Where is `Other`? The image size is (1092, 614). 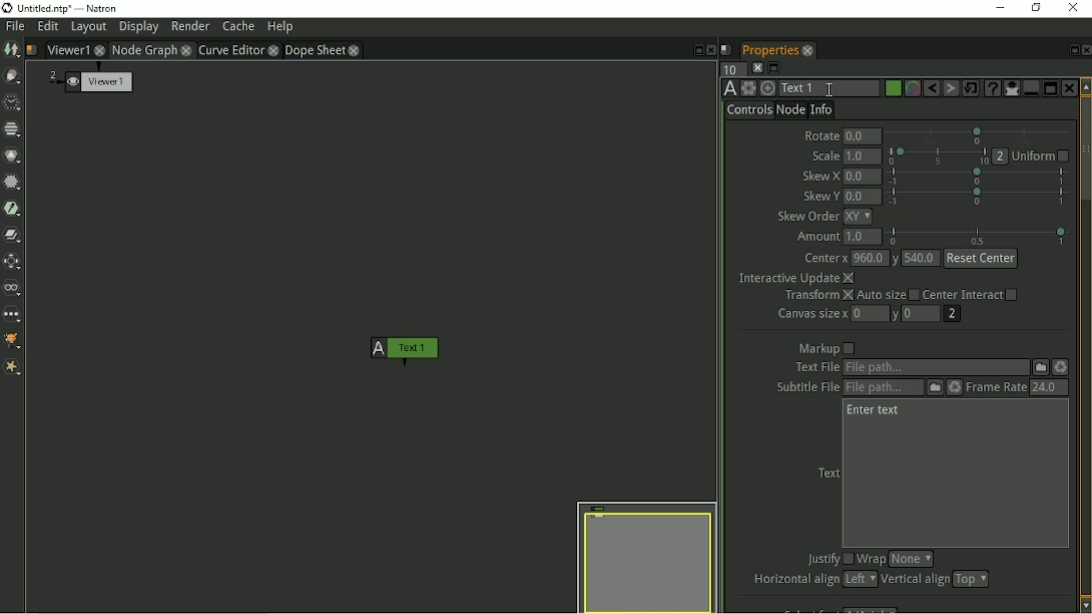 Other is located at coordinates (13, 315).